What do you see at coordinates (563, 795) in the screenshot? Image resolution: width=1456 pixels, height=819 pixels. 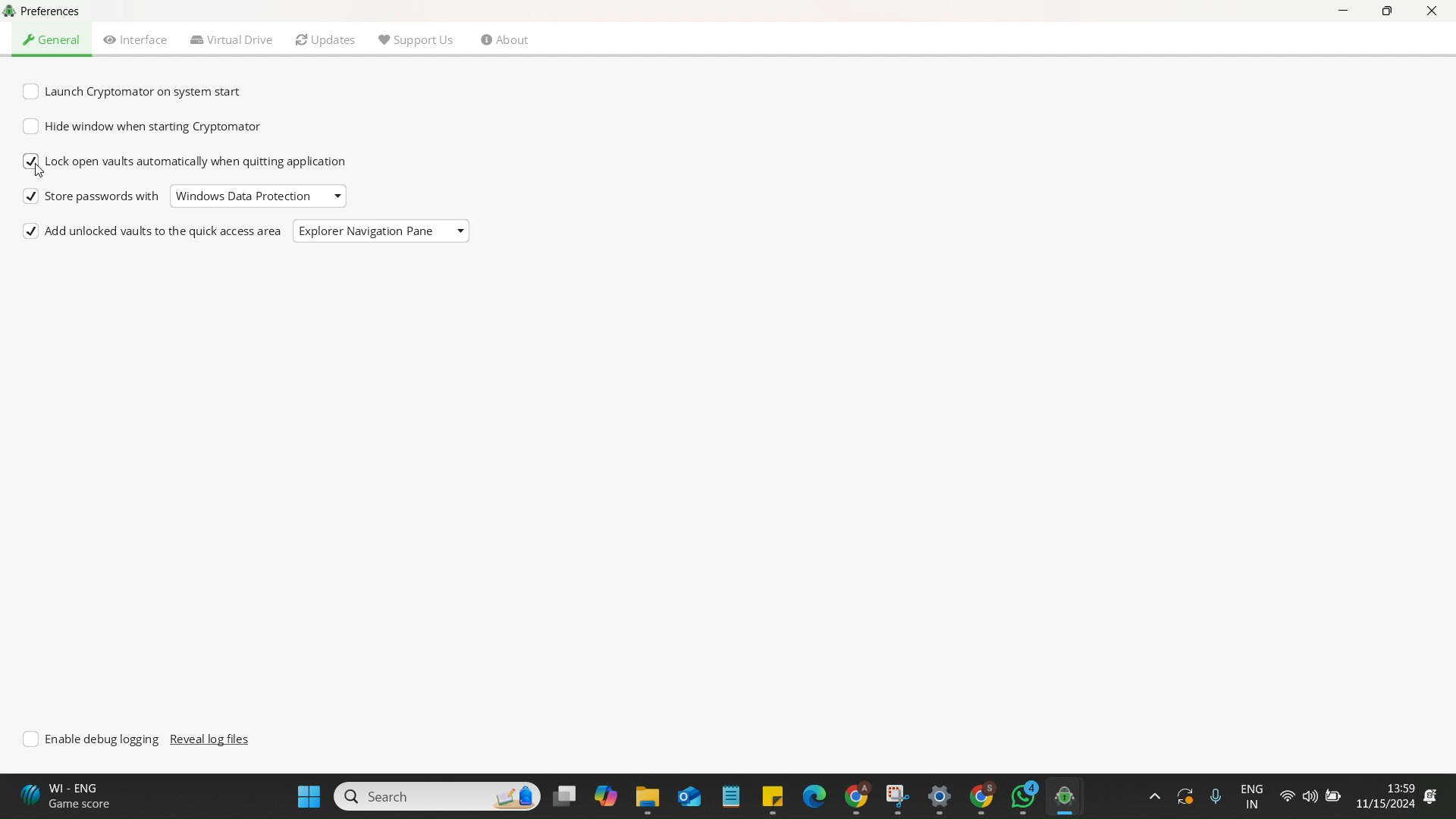 I see `Multiple Window` at bounding box center [563, 795].